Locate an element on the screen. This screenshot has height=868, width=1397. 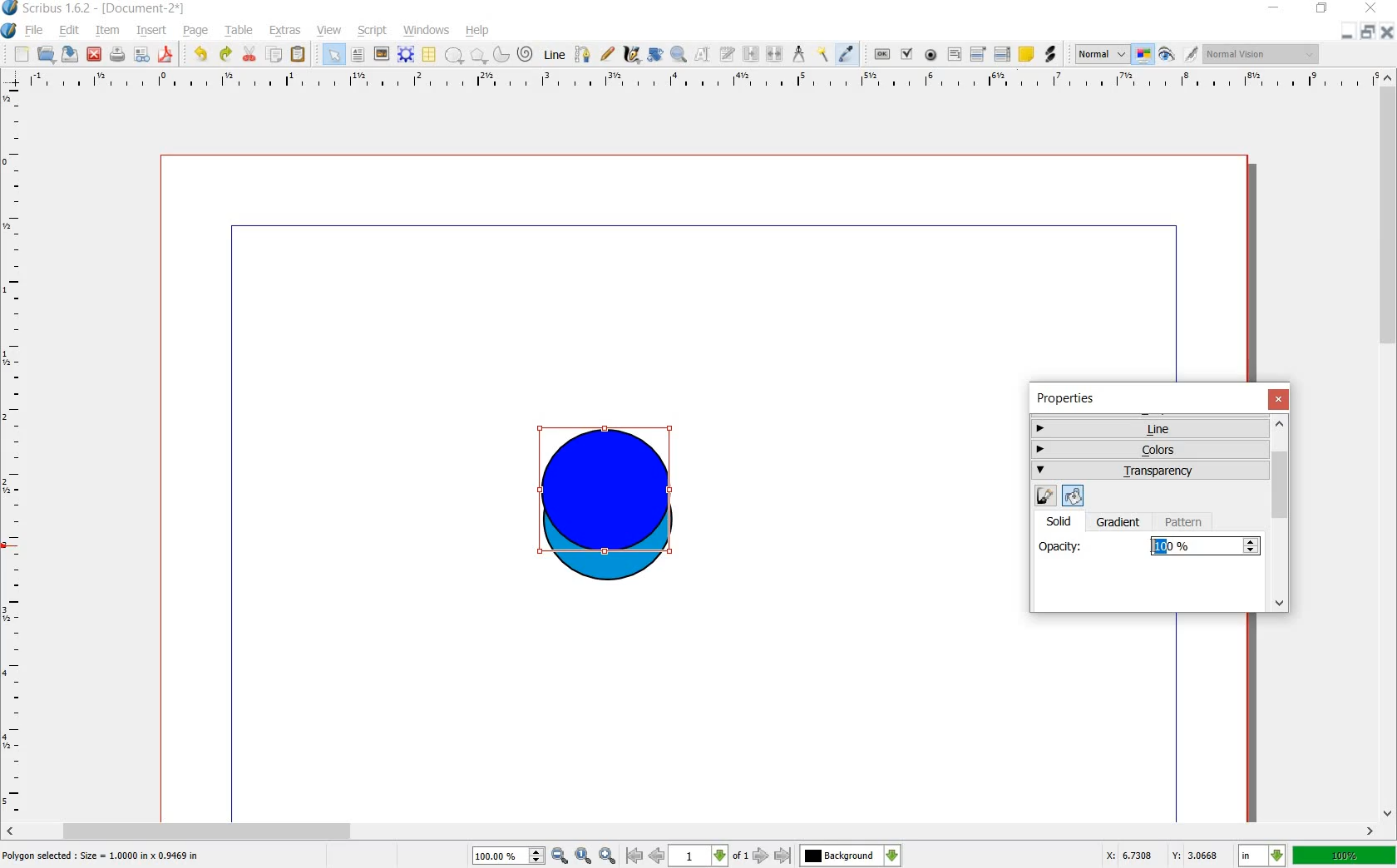
unlink text frames is located at coordinates (777, 55).